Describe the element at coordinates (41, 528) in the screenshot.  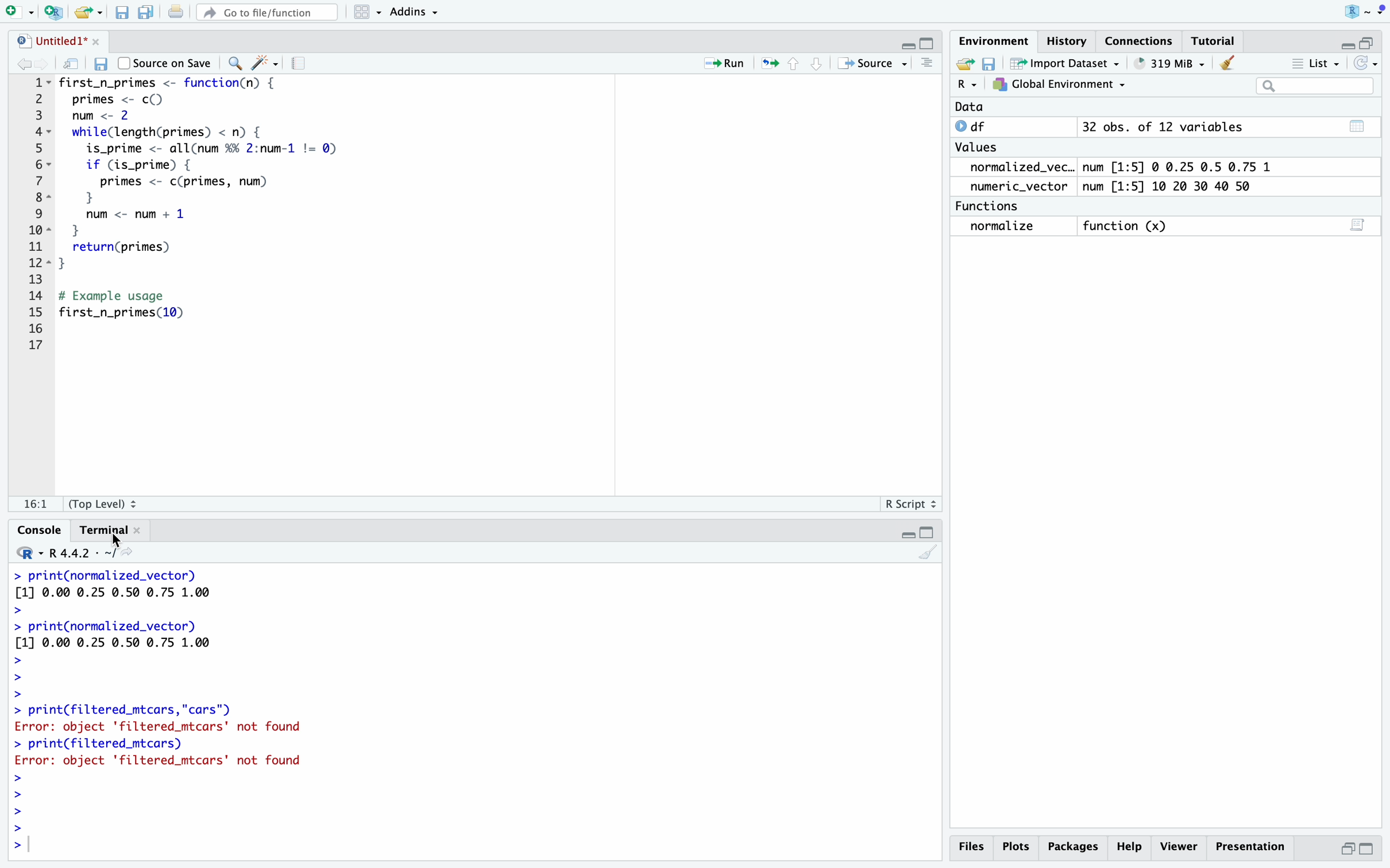
I see `Console` at that location.